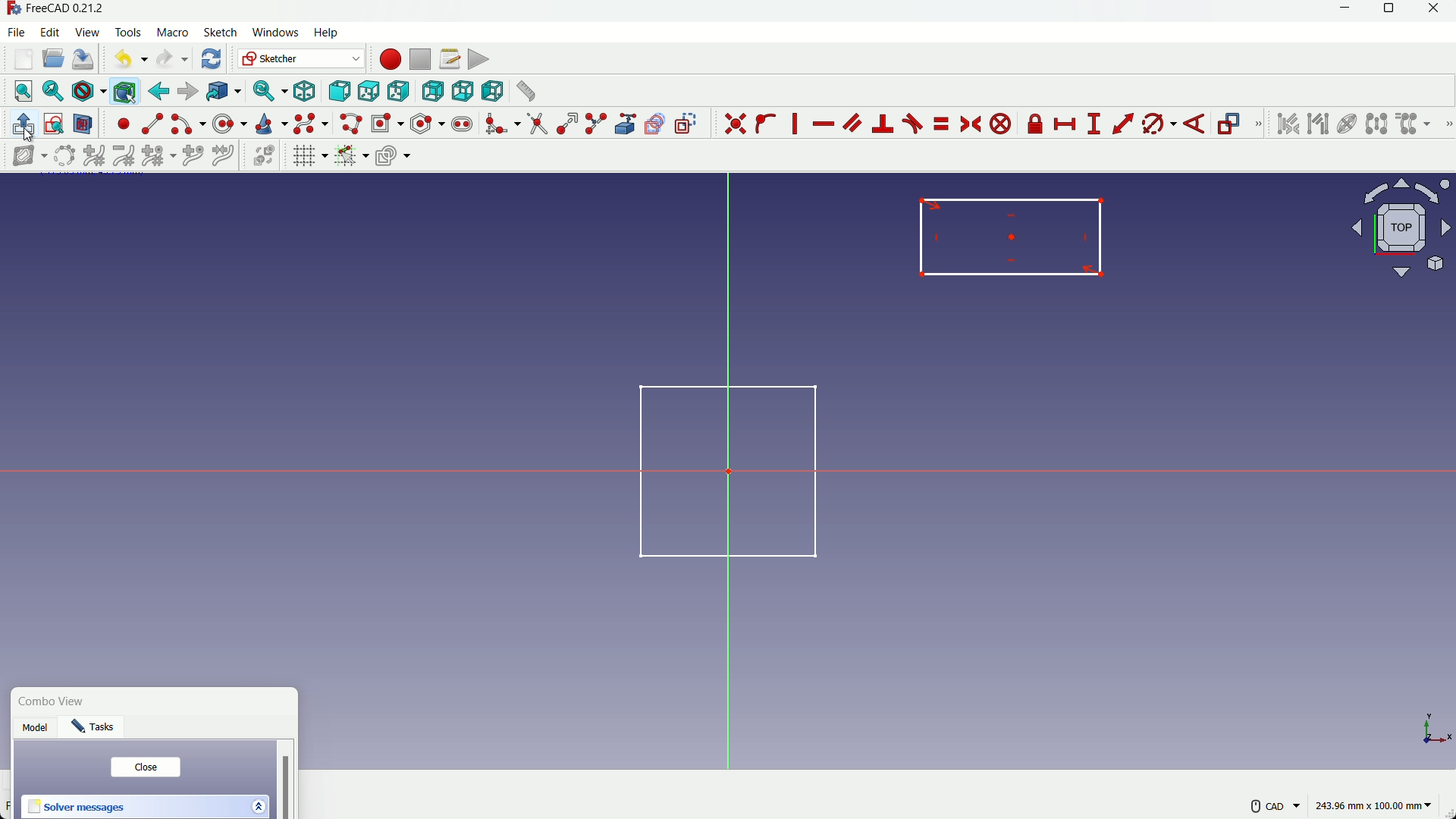 The image size is (1456, 819). Describe the element at coordinates (309, 155) in the screenshot. I see `toggle grid` at that location.